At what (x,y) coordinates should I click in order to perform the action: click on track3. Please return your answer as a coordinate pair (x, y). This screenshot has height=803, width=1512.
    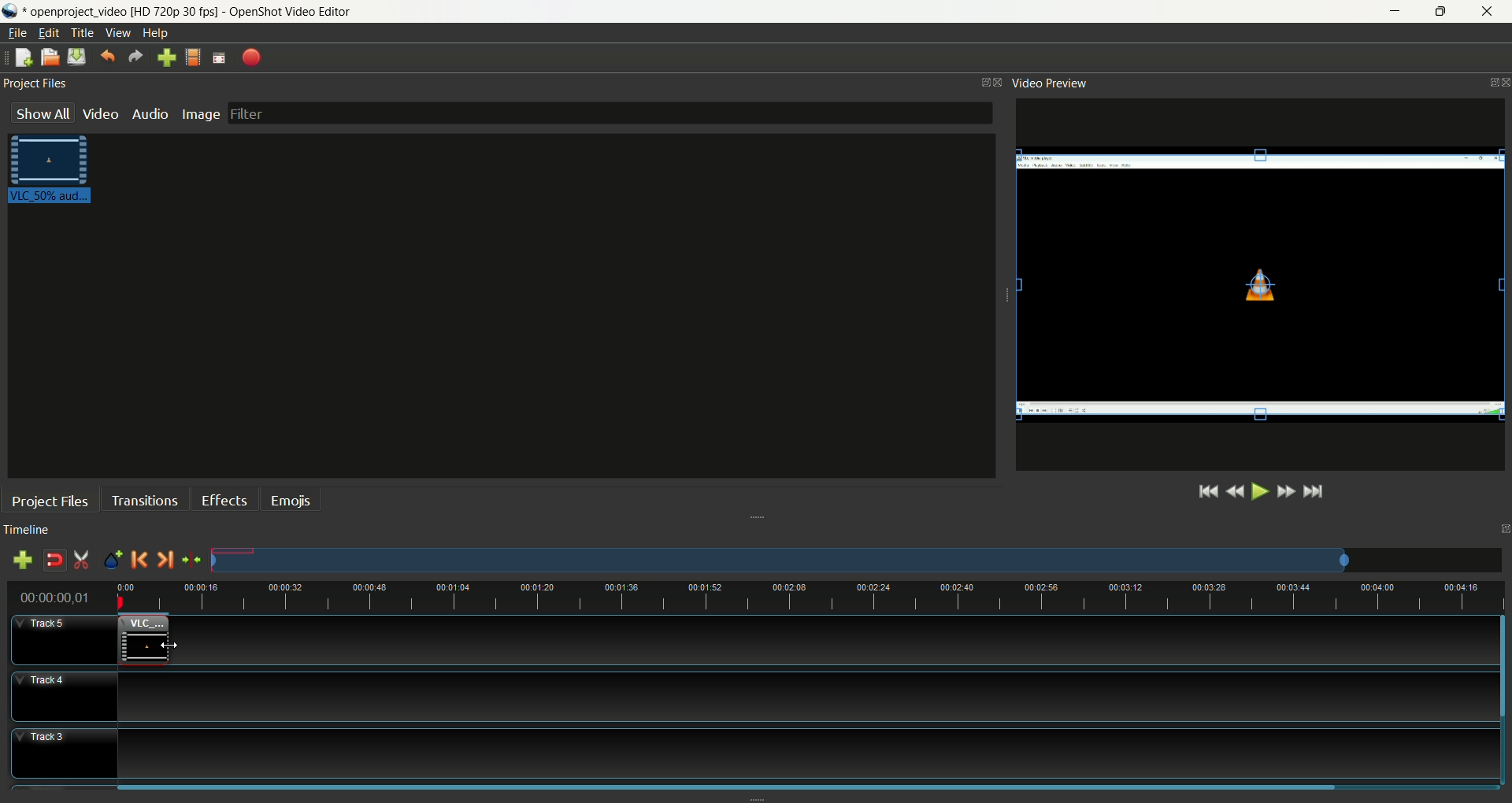
    Looking at the image, I should click on (63, 752).